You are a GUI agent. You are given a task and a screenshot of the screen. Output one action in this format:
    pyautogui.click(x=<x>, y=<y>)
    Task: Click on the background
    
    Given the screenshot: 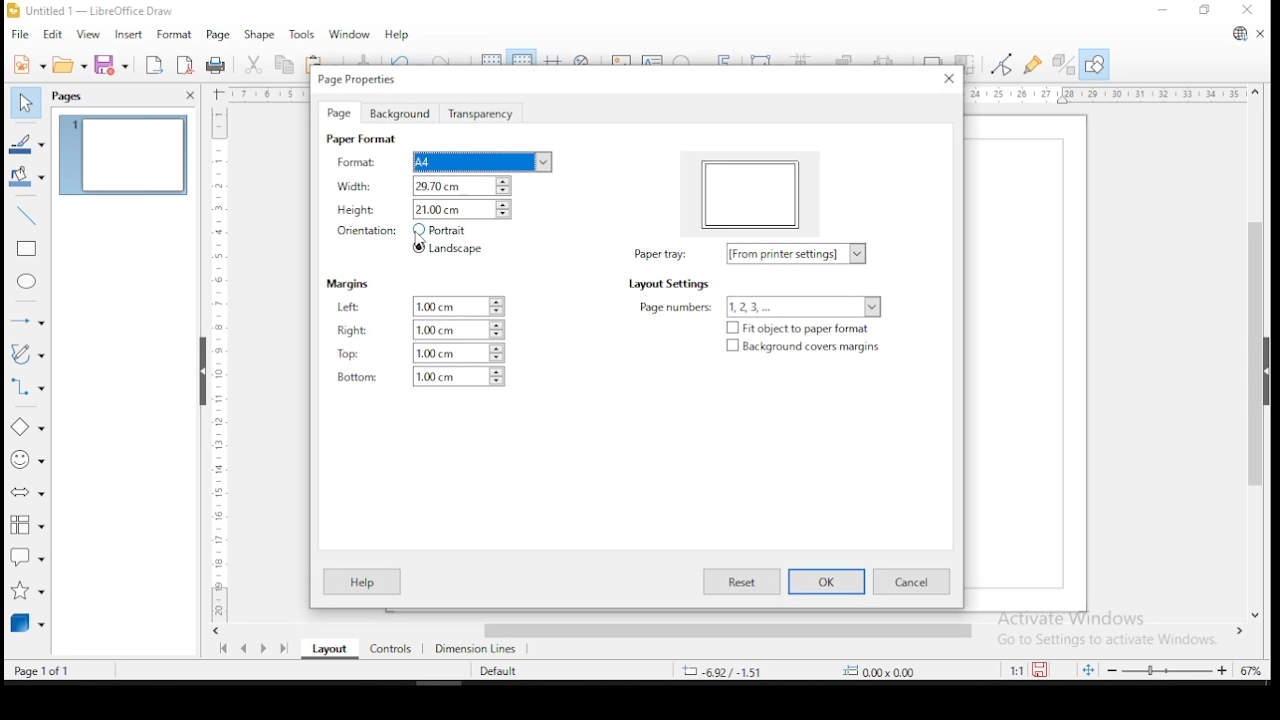 What is the action you would take?
    pyautogui.click(x=398, y=113)
    